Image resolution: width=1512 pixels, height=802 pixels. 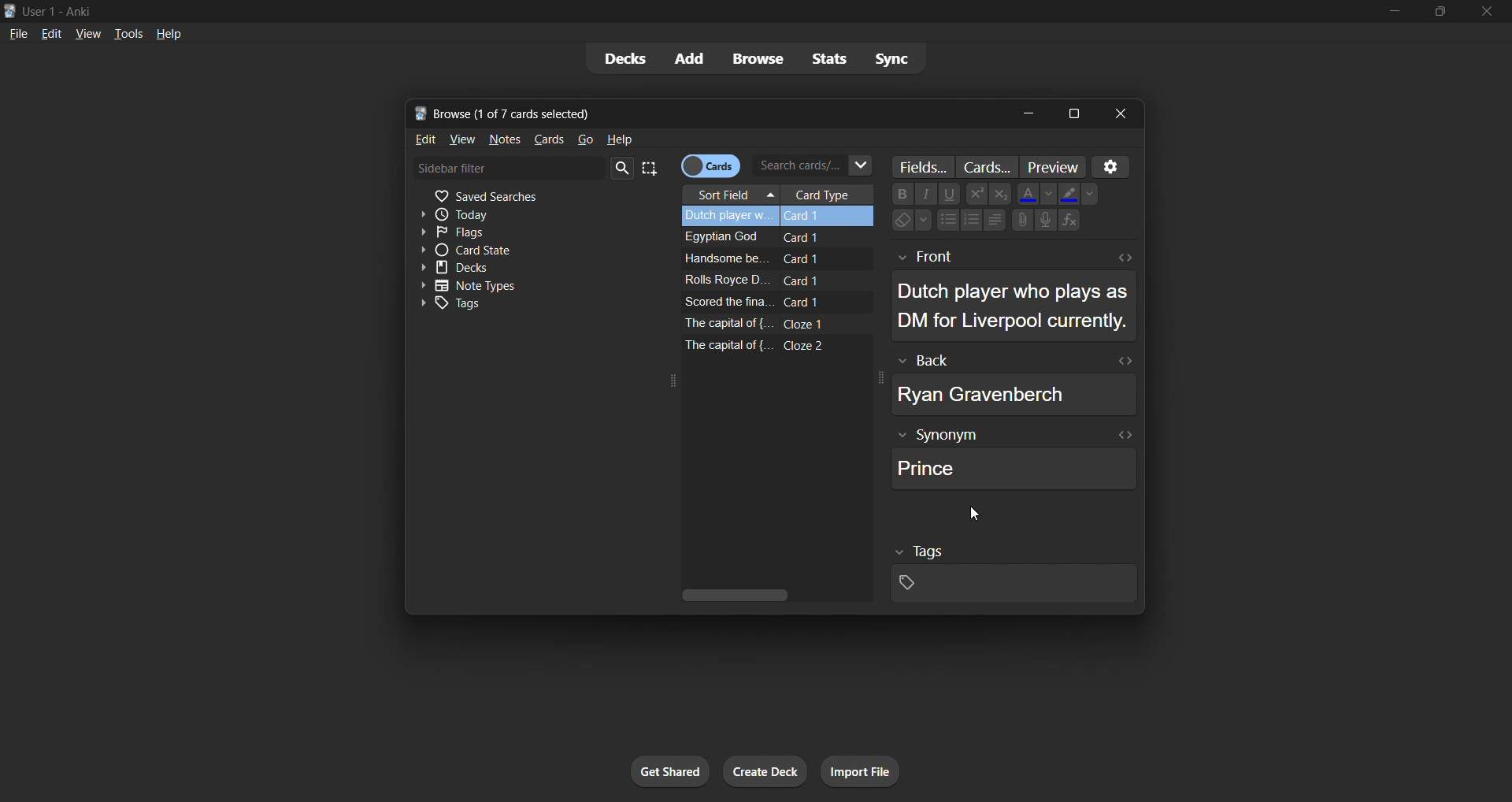 I want to click on Numbering, so click(x=970, y=221).